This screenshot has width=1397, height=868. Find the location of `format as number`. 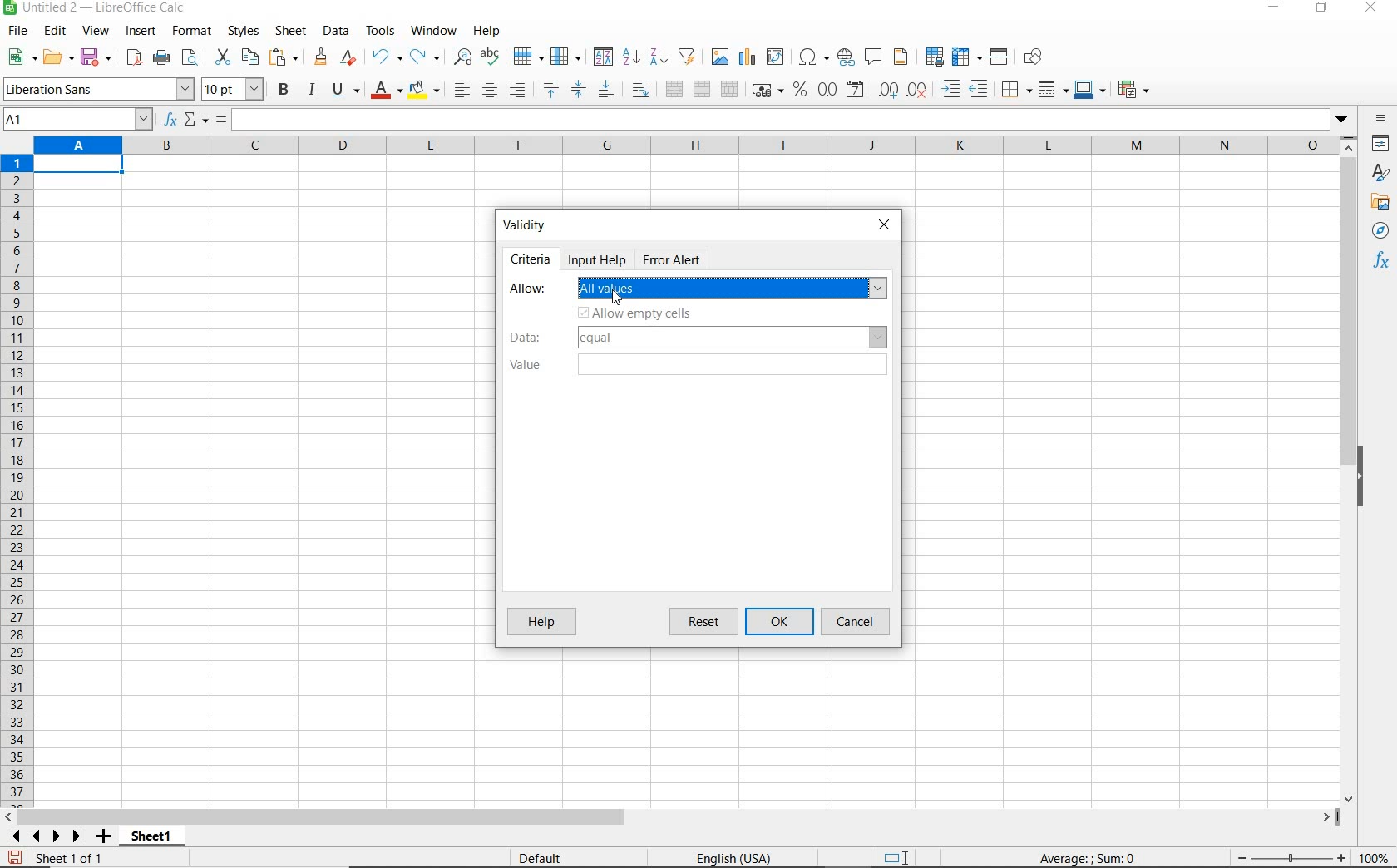

format as number is located at coordinates (827, 89).